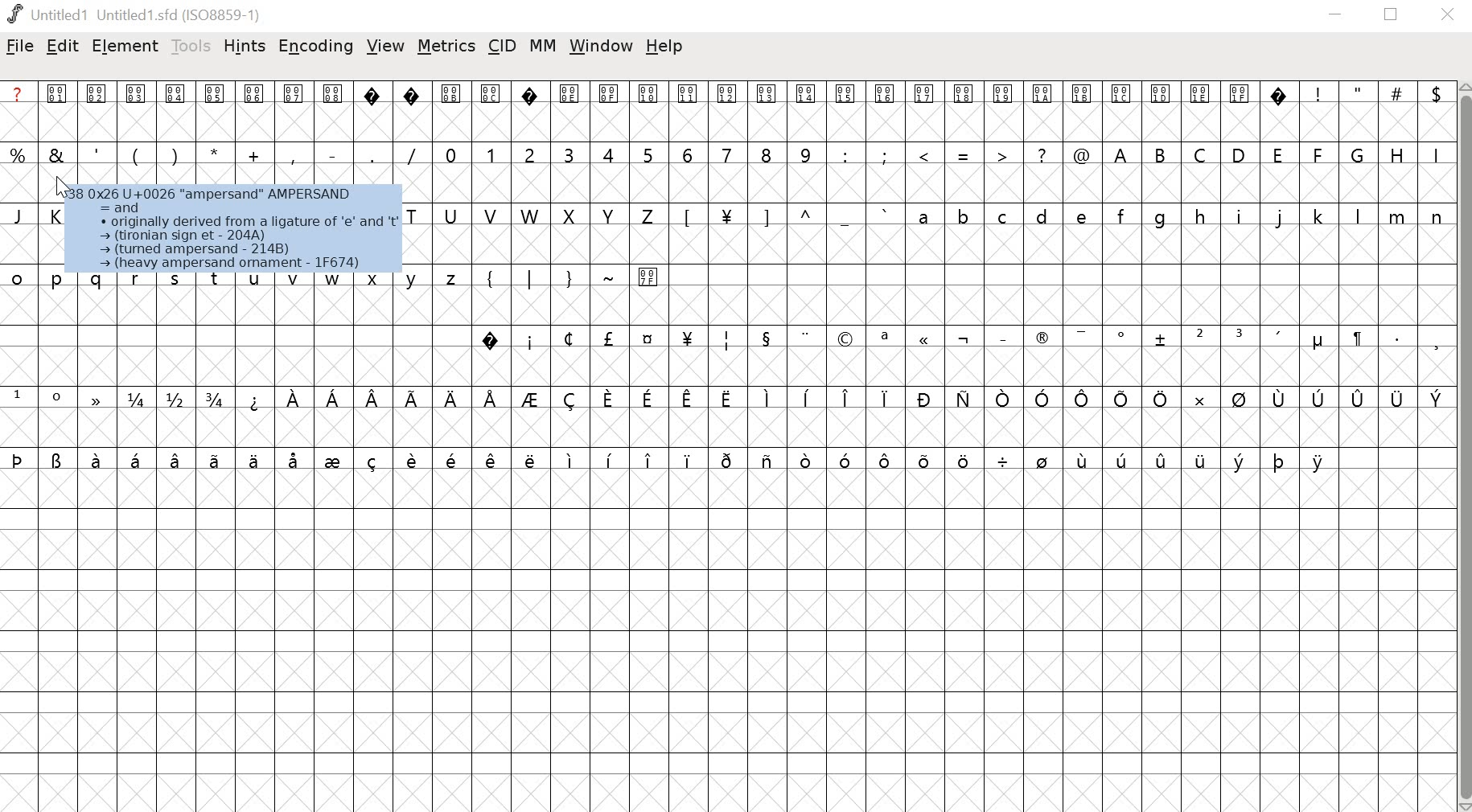 The width and height of the screenshot is (1472, 812). What do you see at coordinates (454, 276) in the screenshot?
I see `z` at bounding box center [454, 276].